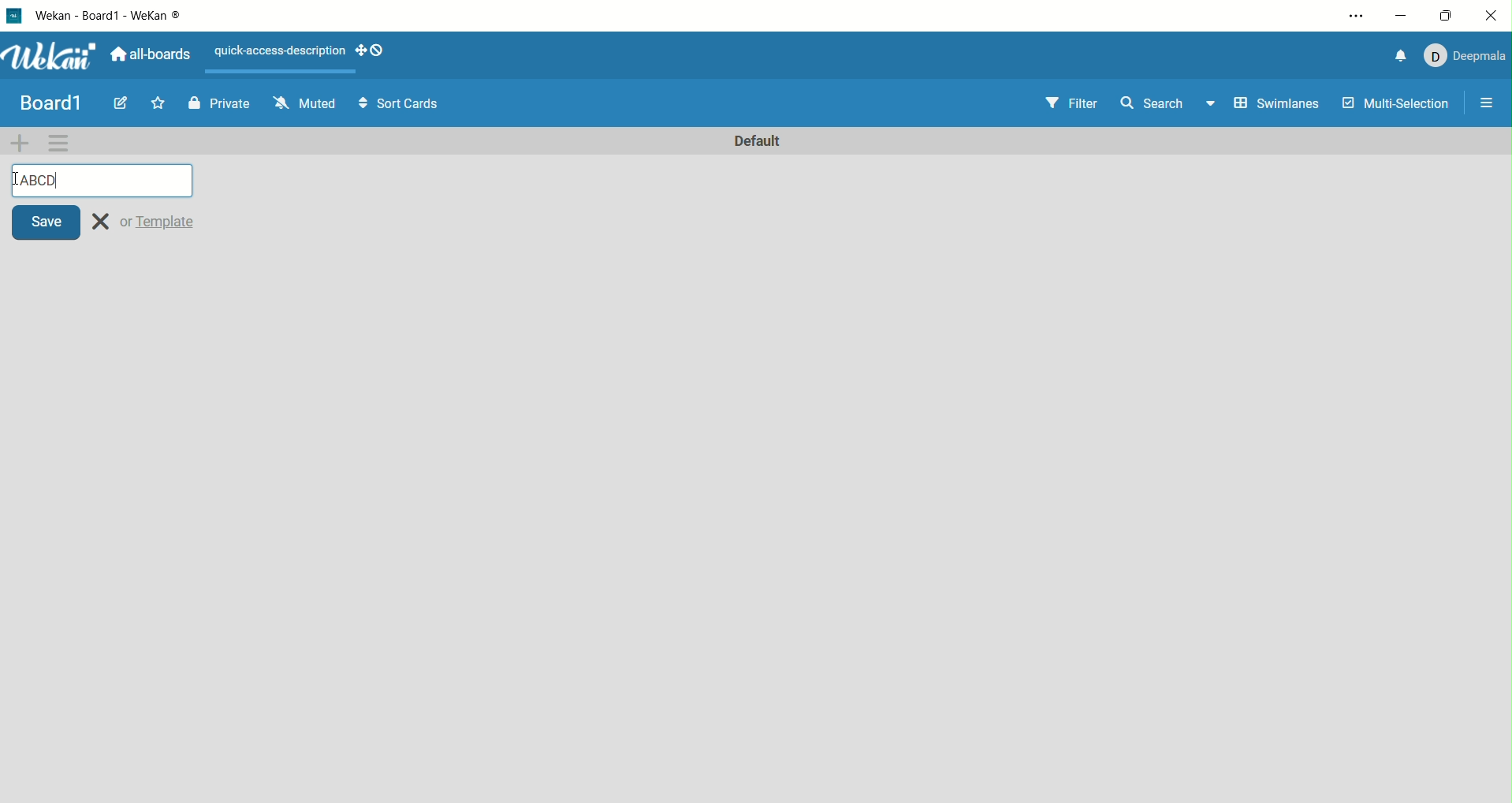  What do you see at coordinates (50, 101) in the screenshot?
I see `title` at bounding box center [50, 101].